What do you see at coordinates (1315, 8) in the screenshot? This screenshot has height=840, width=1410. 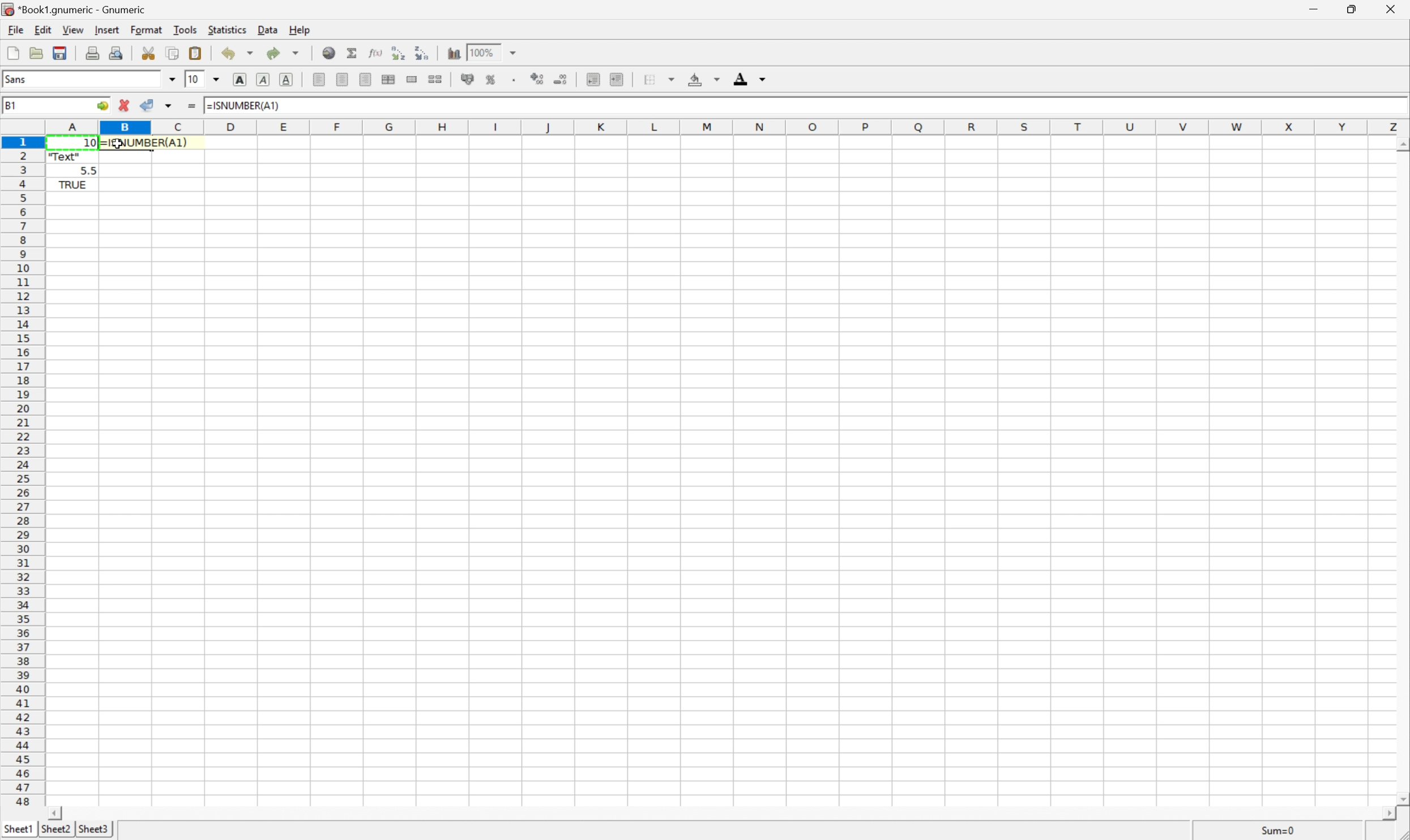 I see `Minimize` at bounding box center [1315, 8].